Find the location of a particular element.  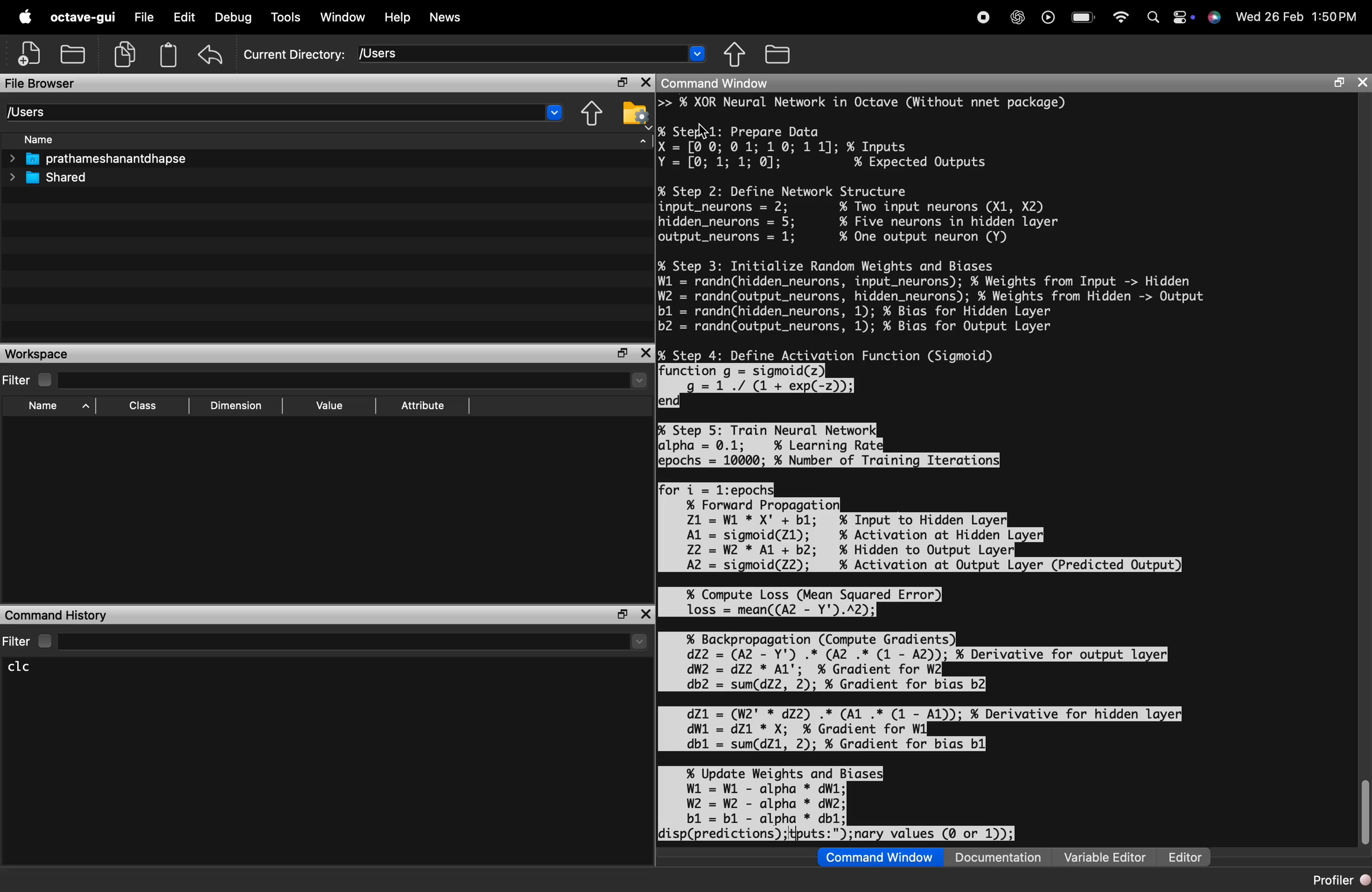

Help is located at coordinates (397, 17).